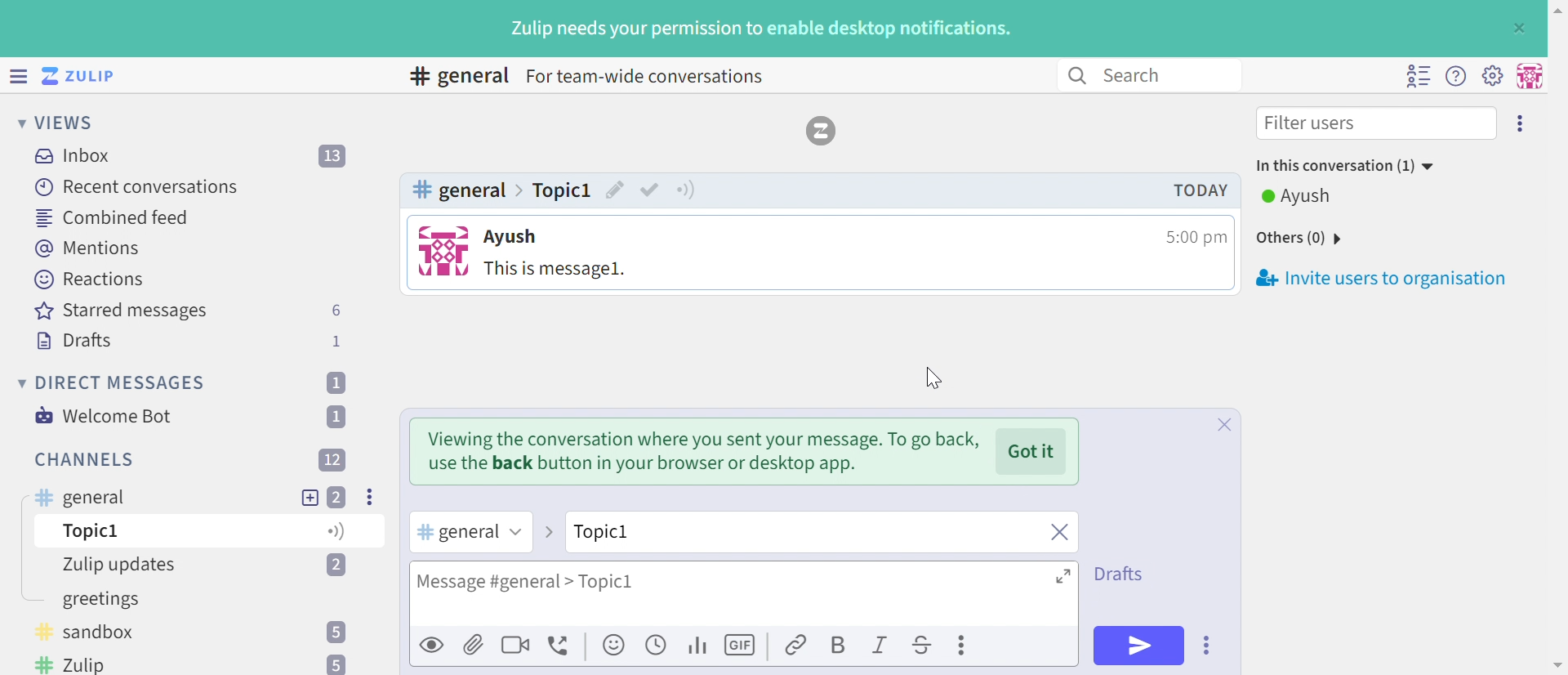 Image resolution: width=1568 pixels, height=675 pixels. Describe the element at coordinates (822, 131) in the screenshot. I see `zulip logo` at that location.